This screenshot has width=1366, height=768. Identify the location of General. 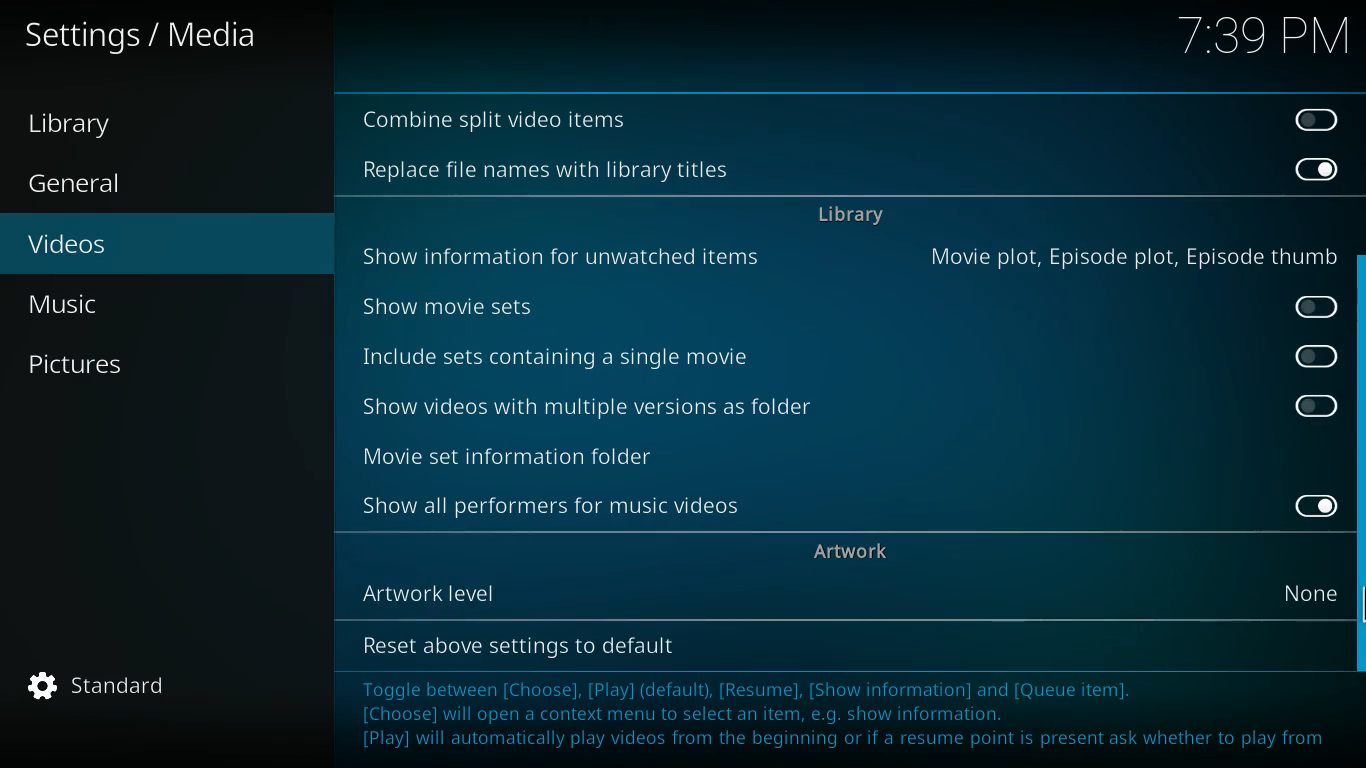
(98, 185).